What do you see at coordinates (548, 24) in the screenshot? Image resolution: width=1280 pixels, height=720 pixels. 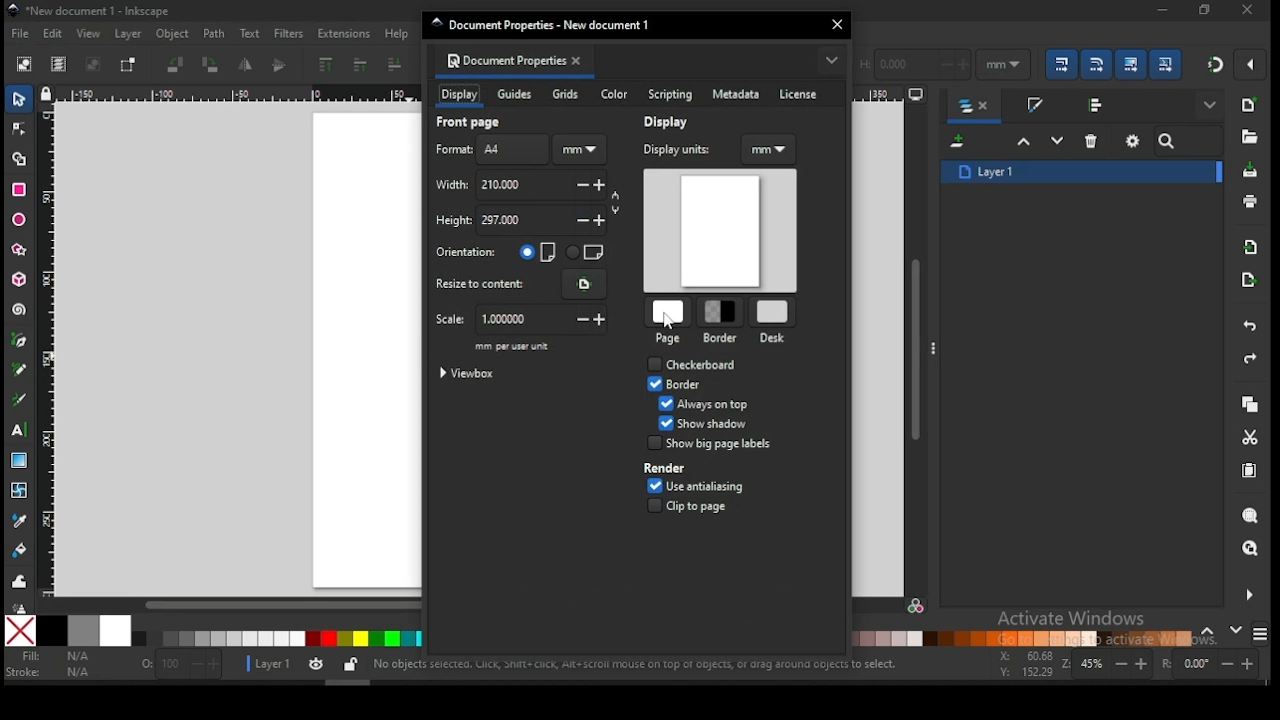 I see `document properties window` at bounding box center [548, 24].